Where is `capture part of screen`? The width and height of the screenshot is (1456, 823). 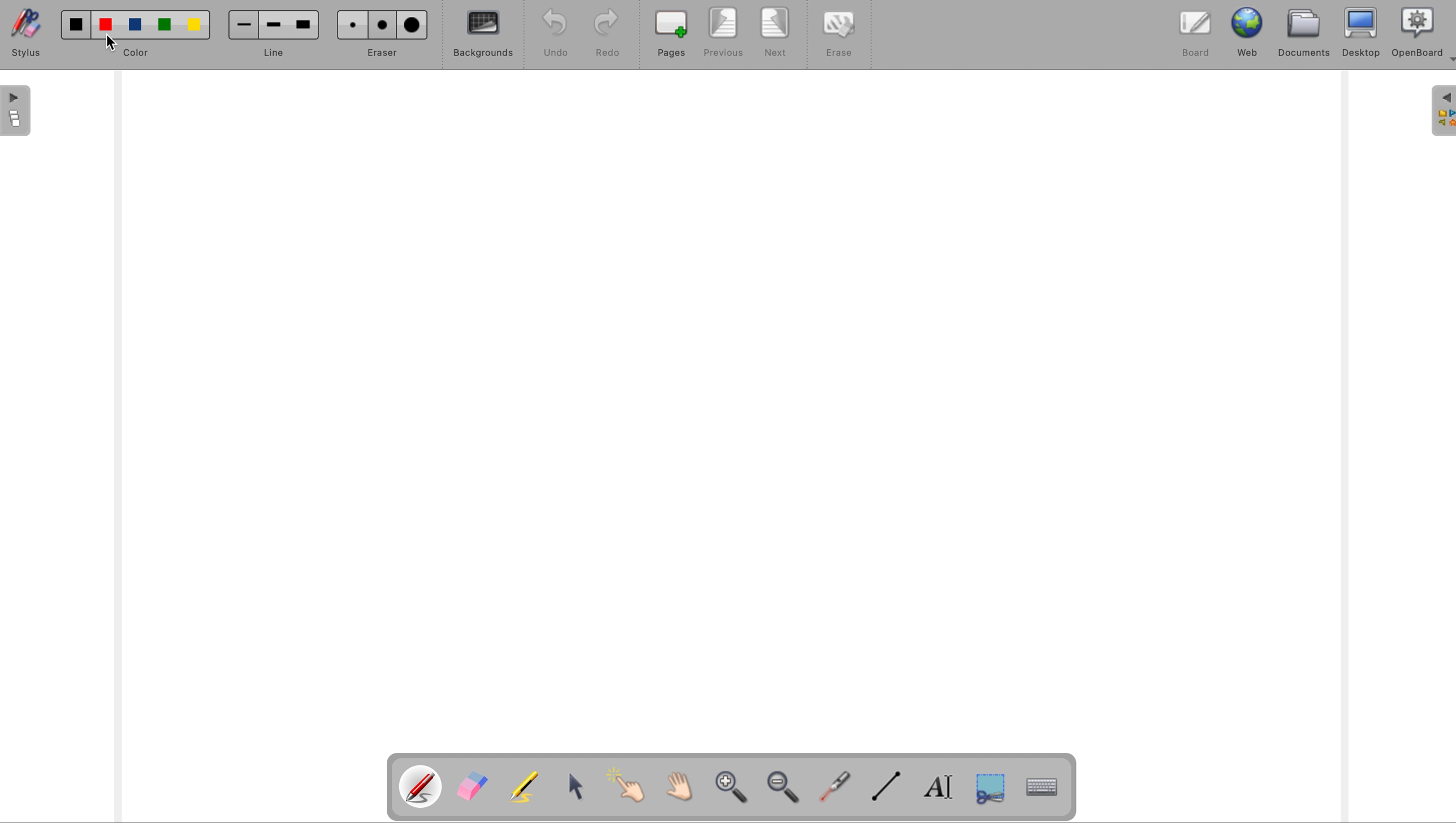 capture part of screen is located at coordinates (998, 792).